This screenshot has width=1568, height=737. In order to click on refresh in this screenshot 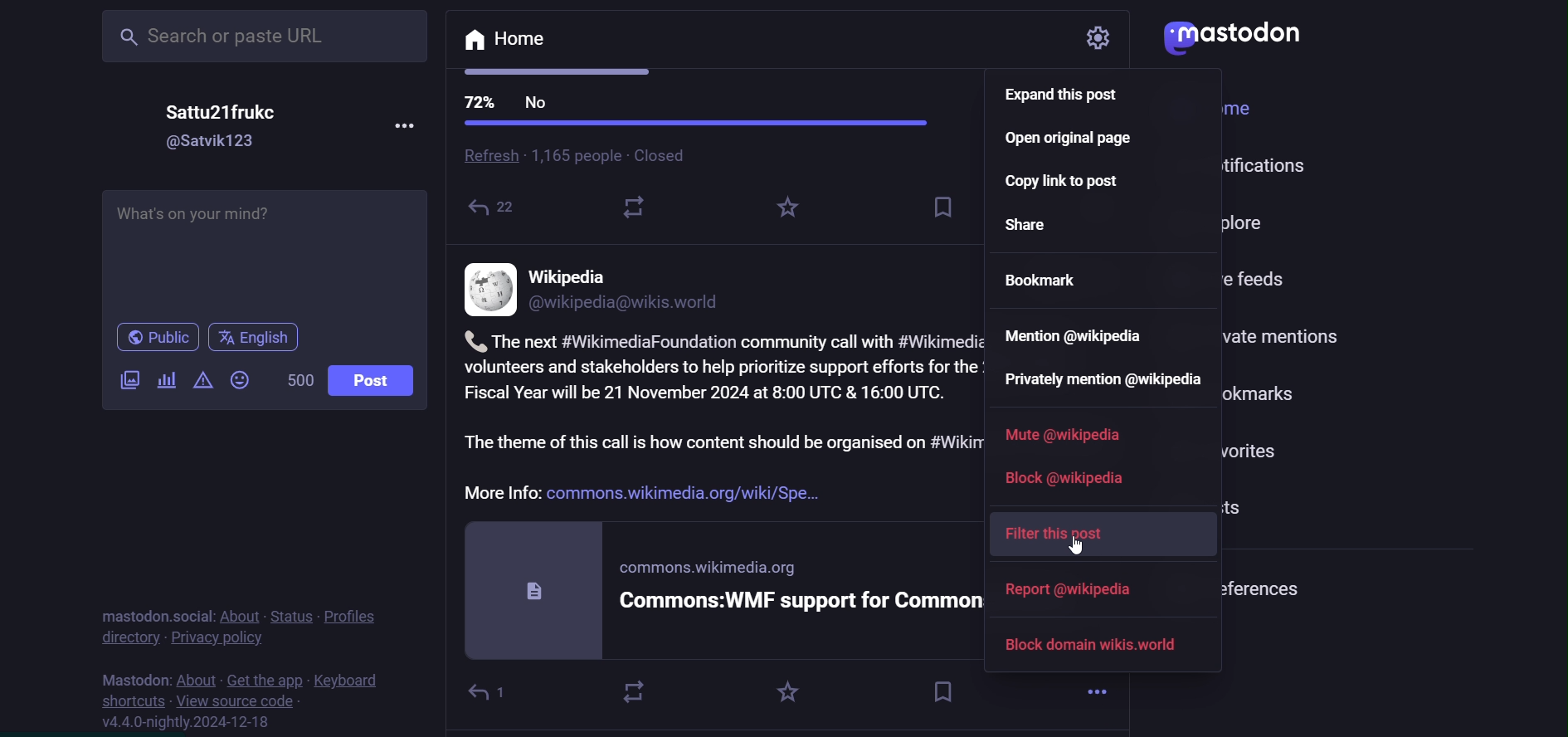, I will do `click(487, 158)`.